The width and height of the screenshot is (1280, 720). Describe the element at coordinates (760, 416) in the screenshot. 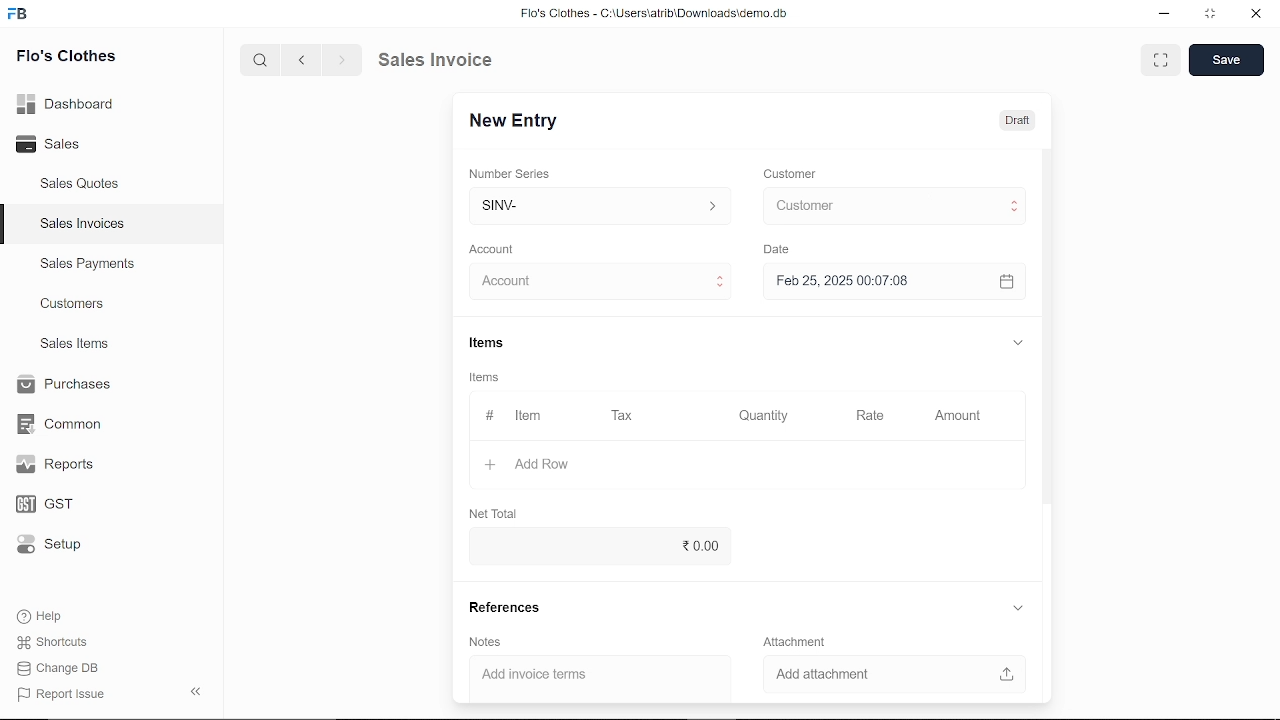

I see ` Quantity` at that location.